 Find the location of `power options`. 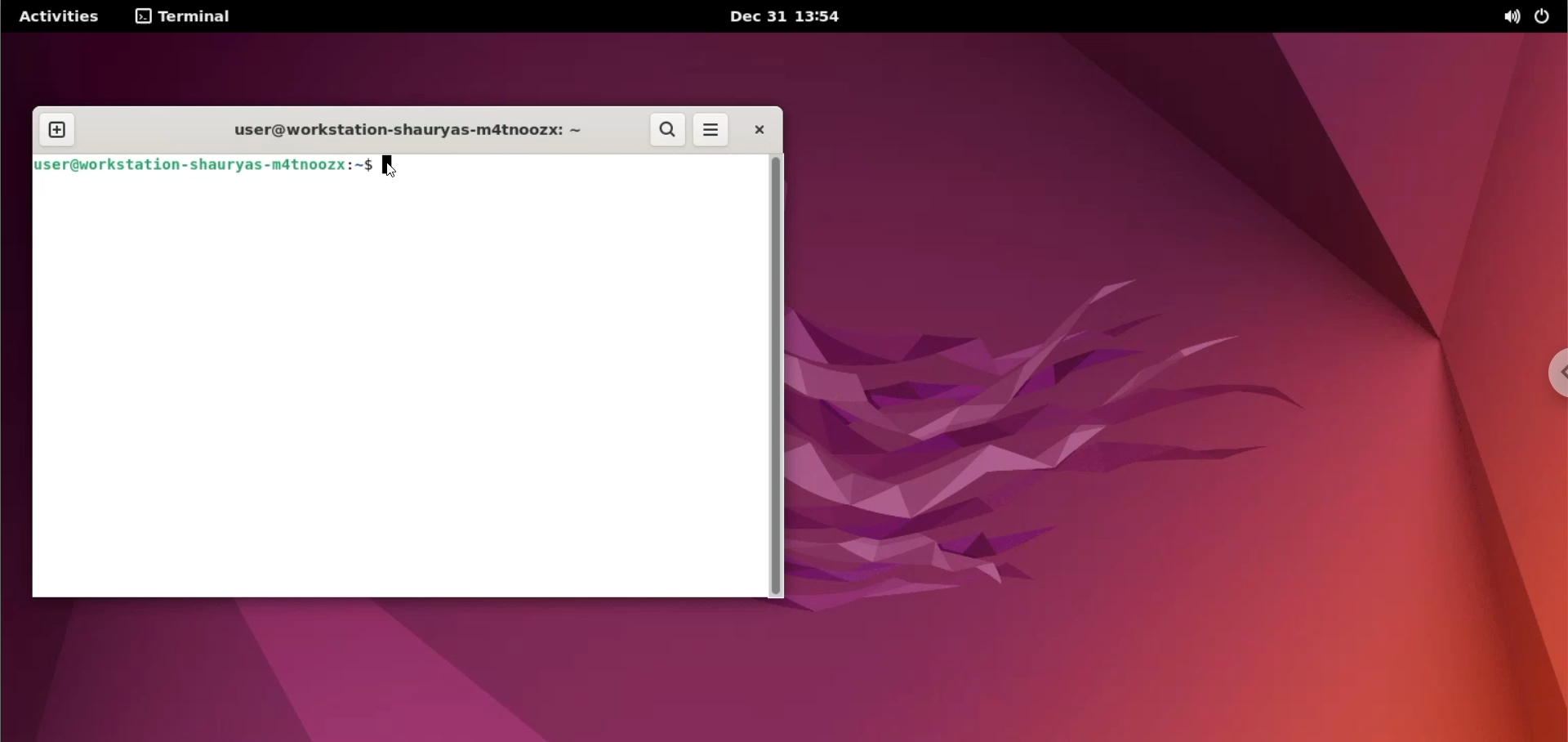

power options is located at coordinates (1547, 15).